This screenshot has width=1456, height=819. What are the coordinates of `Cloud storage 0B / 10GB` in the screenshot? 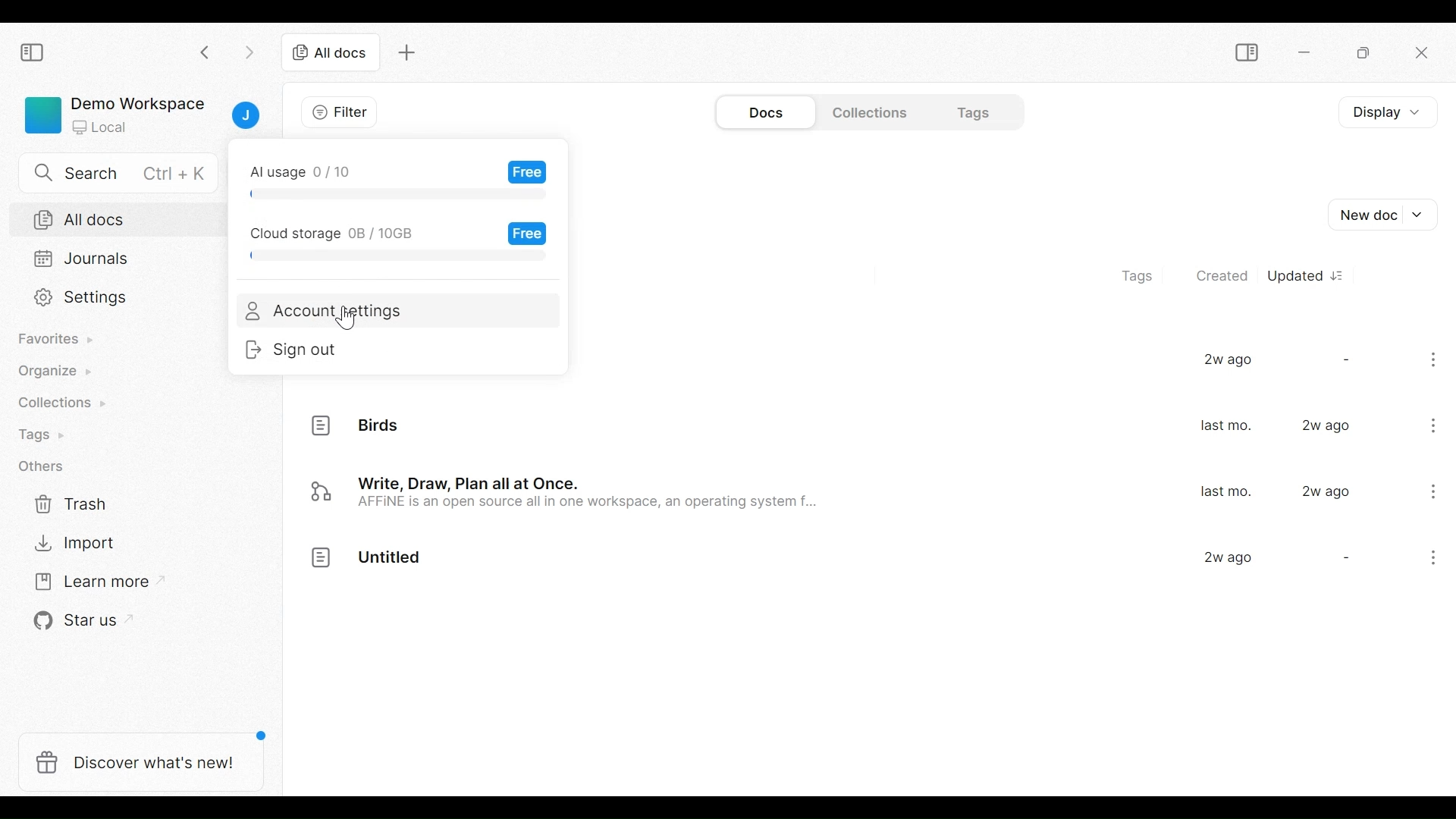 It's located at (330, 231).